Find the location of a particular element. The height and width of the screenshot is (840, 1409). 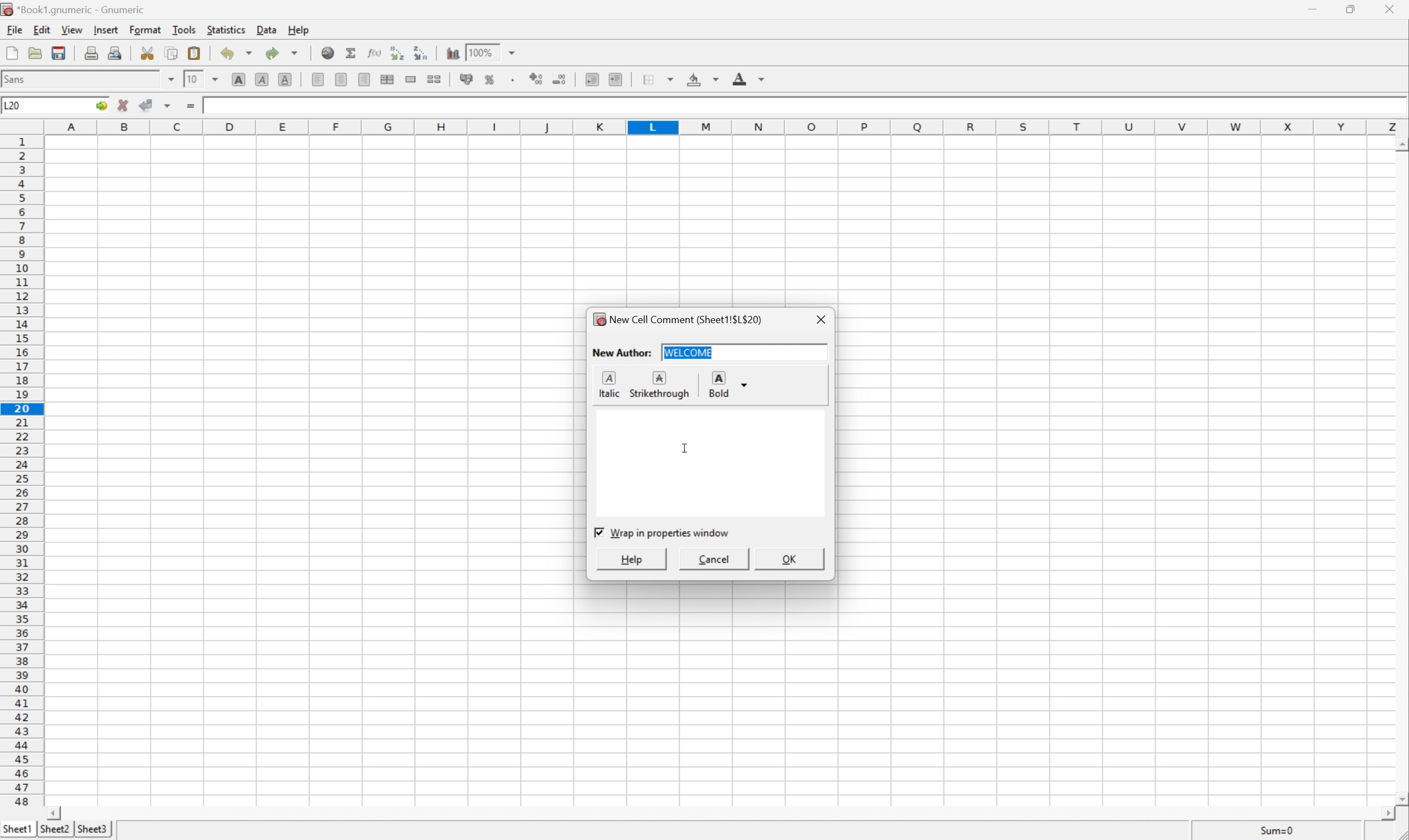

Split the ranges of merged cells is located at coordinates (435, 78).